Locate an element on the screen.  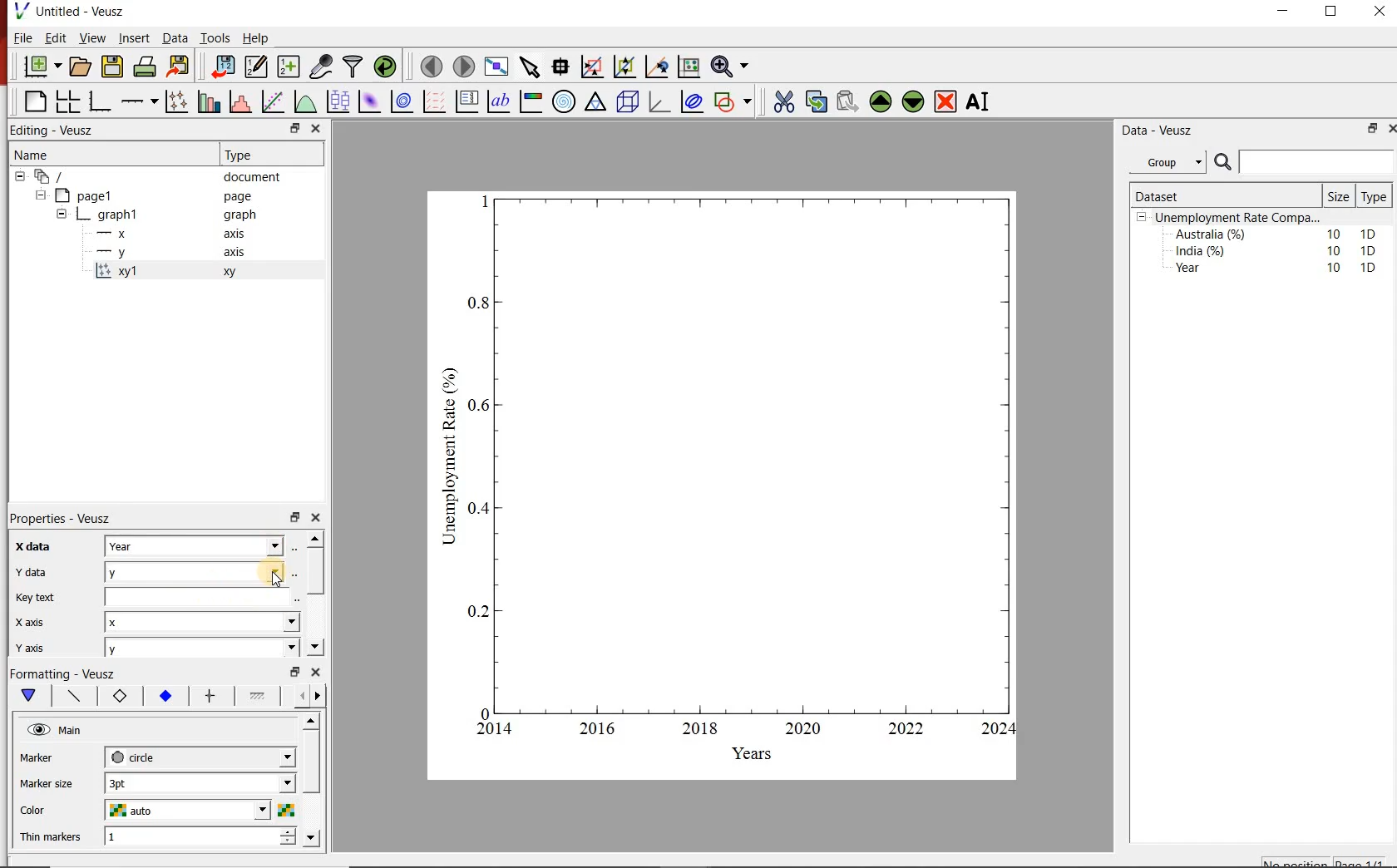
polar graph is located at coordinates (565, 102).